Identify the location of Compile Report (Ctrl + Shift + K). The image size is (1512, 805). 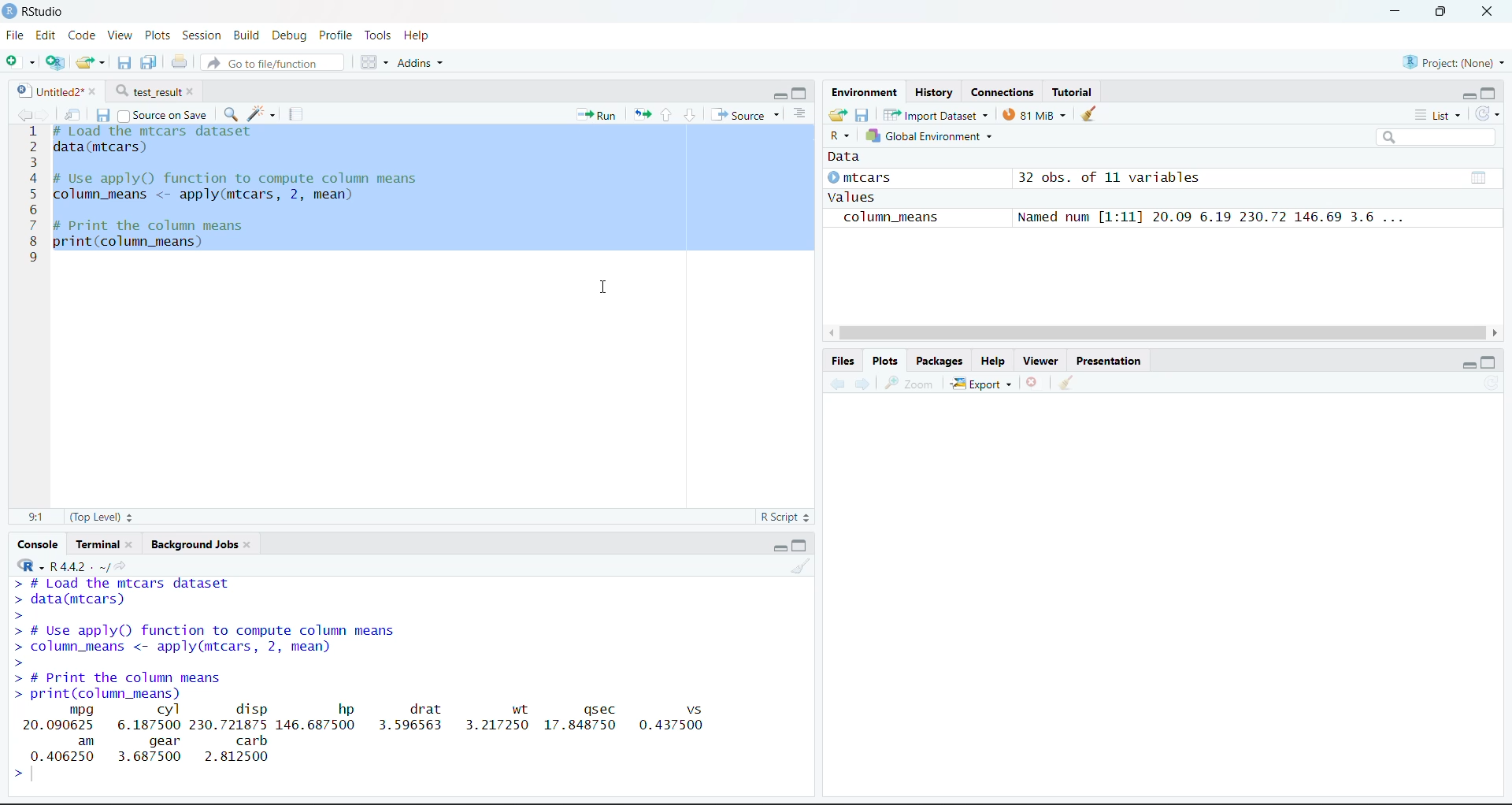
(297, 113).